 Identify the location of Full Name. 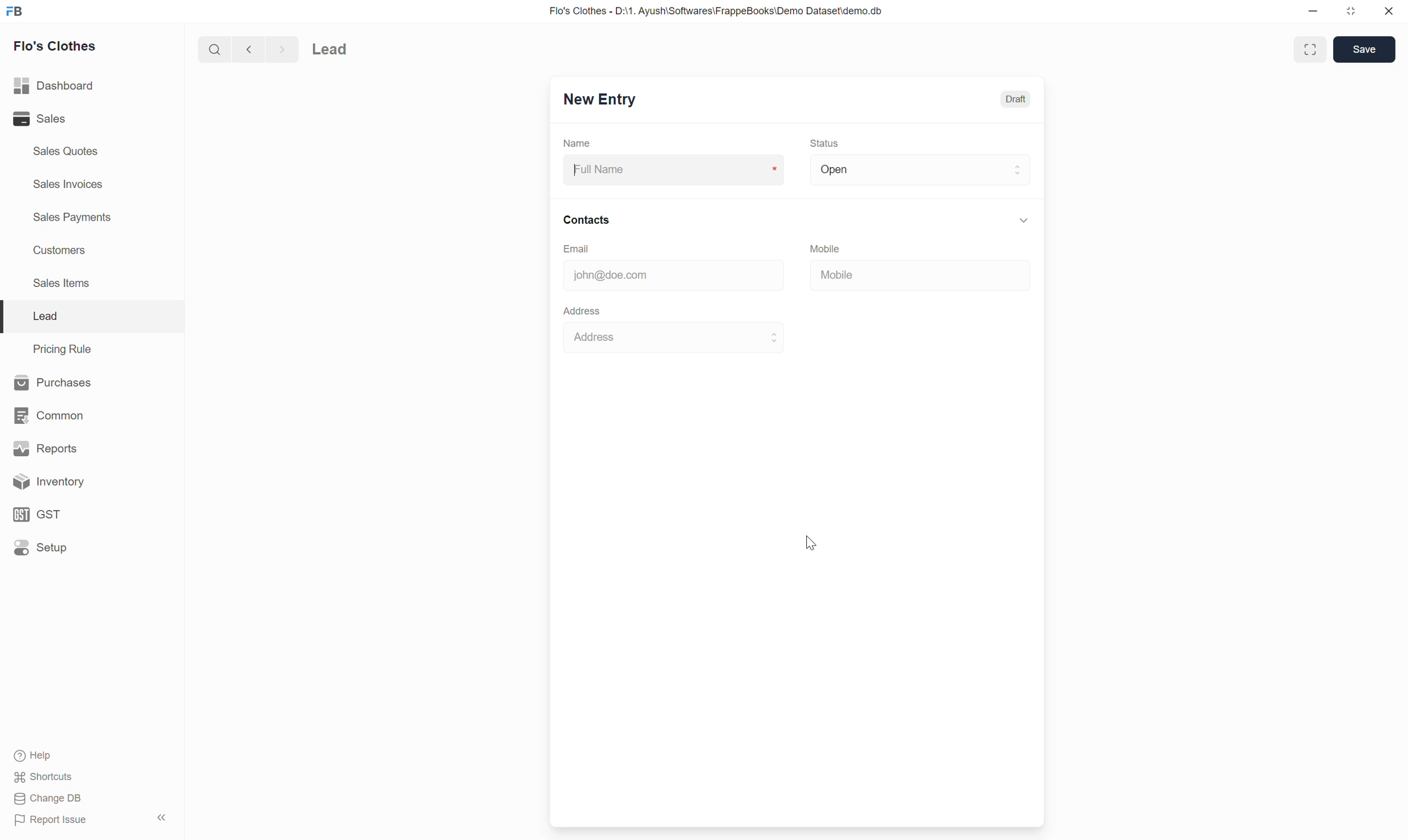
(672, 171).